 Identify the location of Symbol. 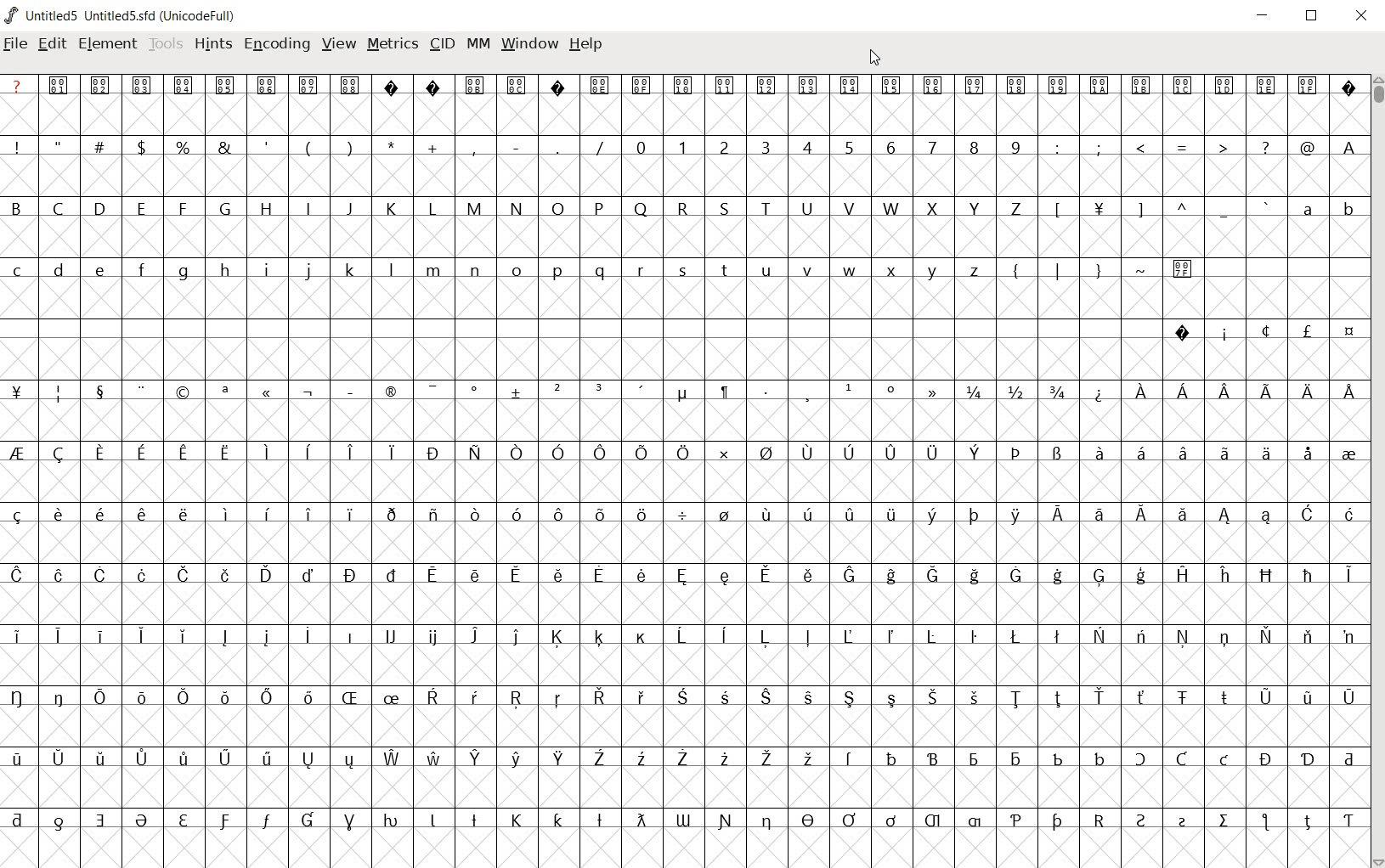
(1060, 86).